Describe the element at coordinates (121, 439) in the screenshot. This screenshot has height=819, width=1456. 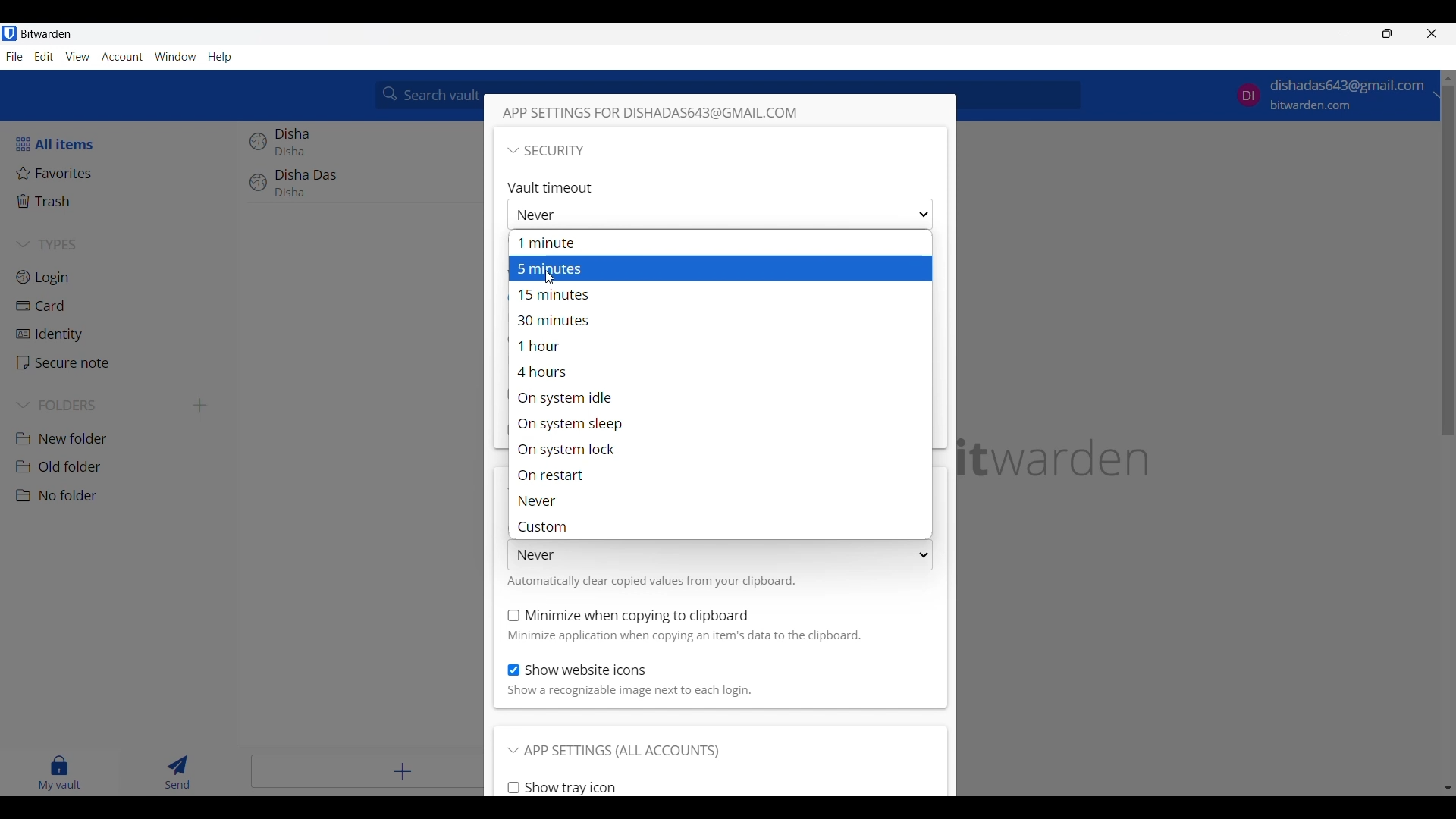
I see `New folder` at that location.